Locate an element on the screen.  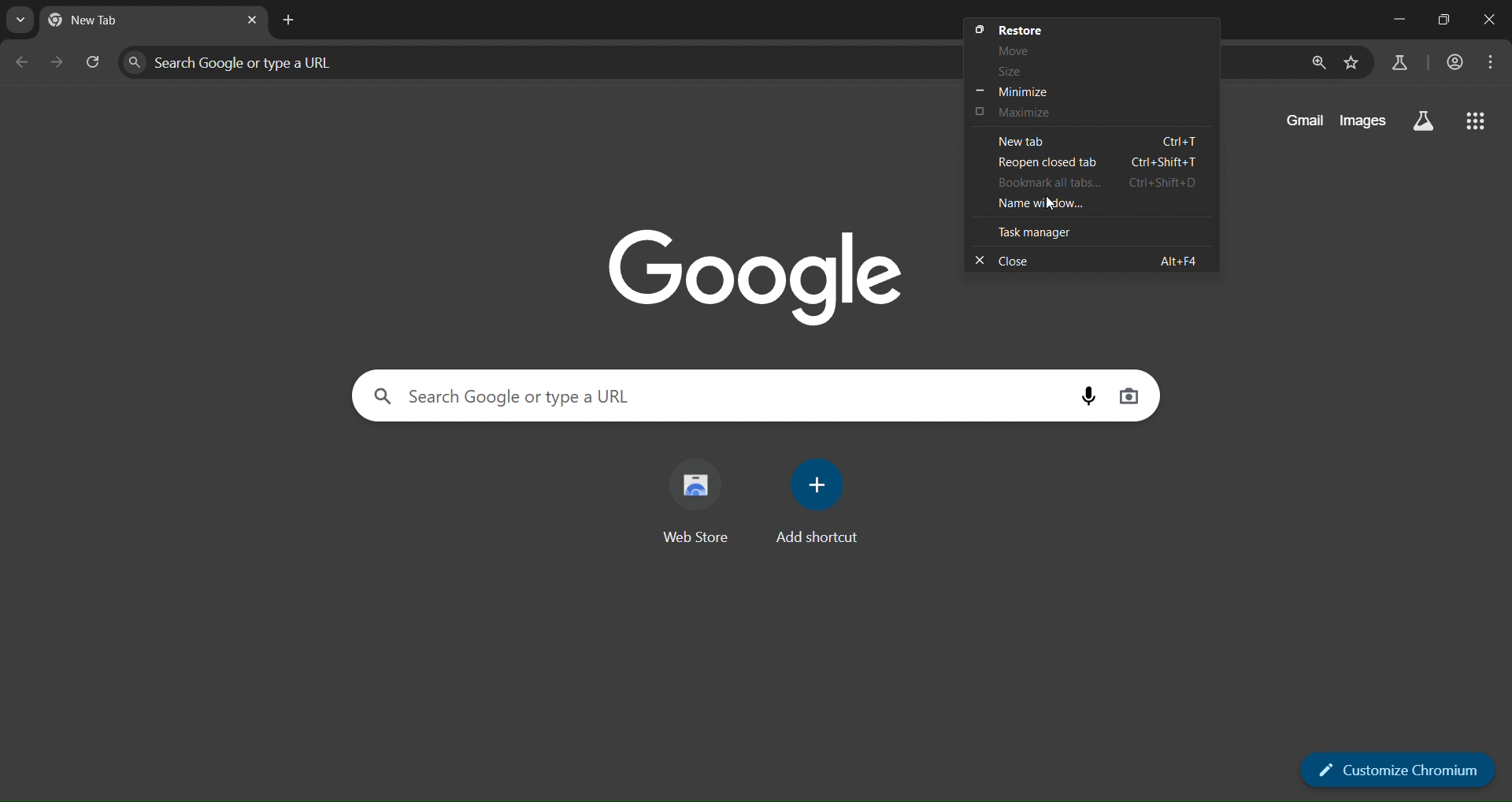
web store is located at coordinates (699, 493).